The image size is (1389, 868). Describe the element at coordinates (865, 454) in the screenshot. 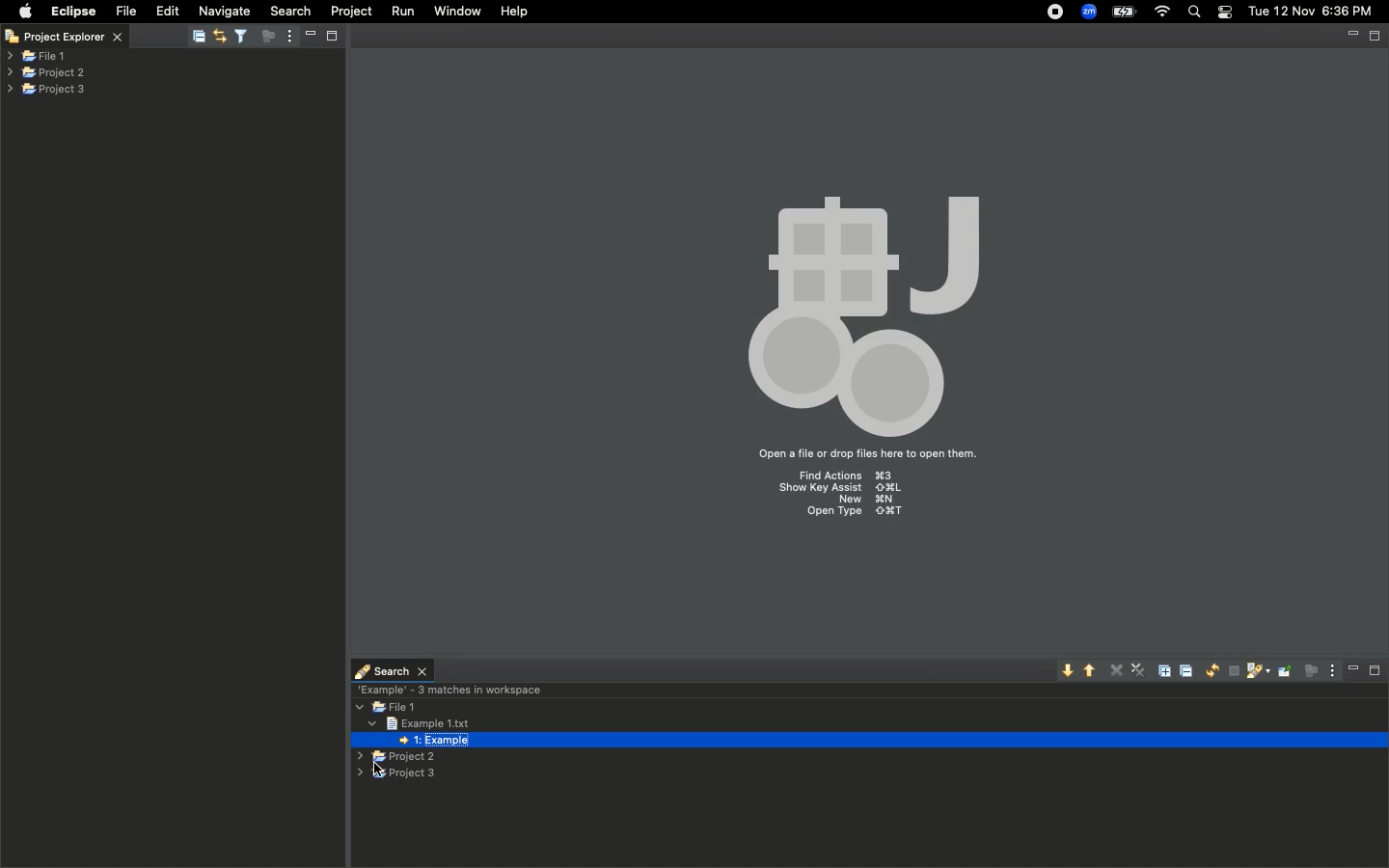

I see `Drag files here to open them` at that location.